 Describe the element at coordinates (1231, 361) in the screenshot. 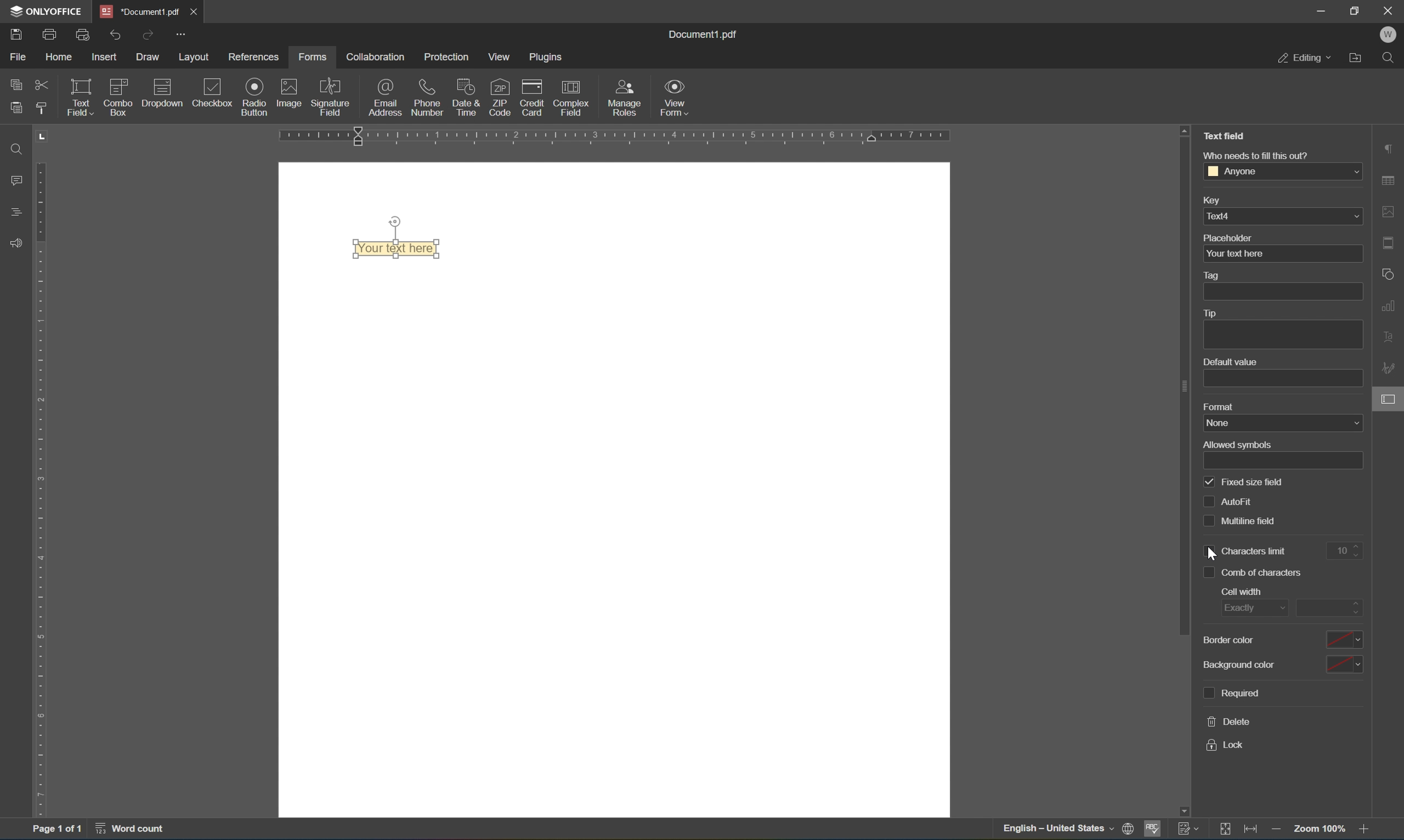

I see `default value` at that location.